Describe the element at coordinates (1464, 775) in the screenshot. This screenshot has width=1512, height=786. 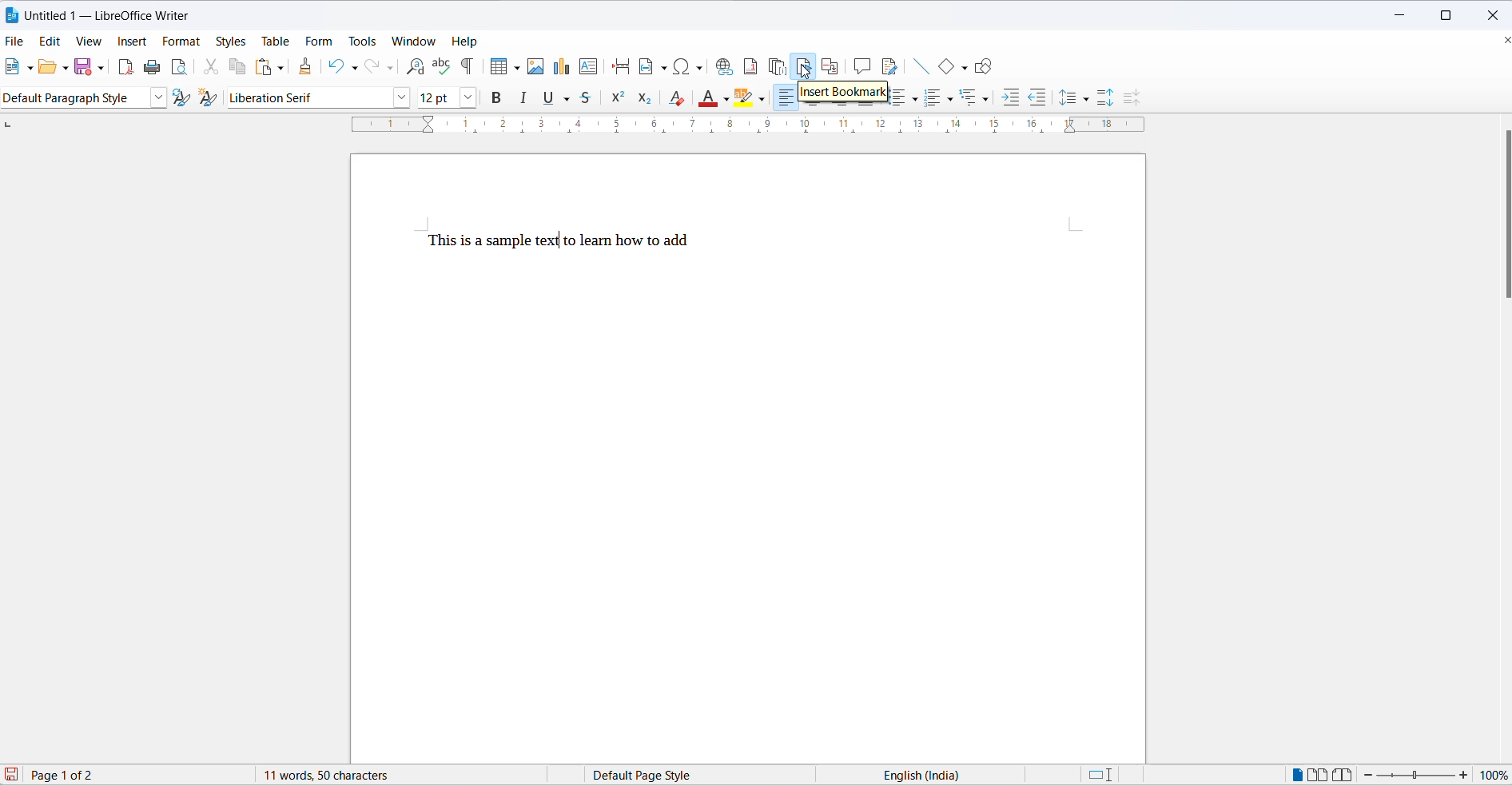
I see `increase zoom` at that location.